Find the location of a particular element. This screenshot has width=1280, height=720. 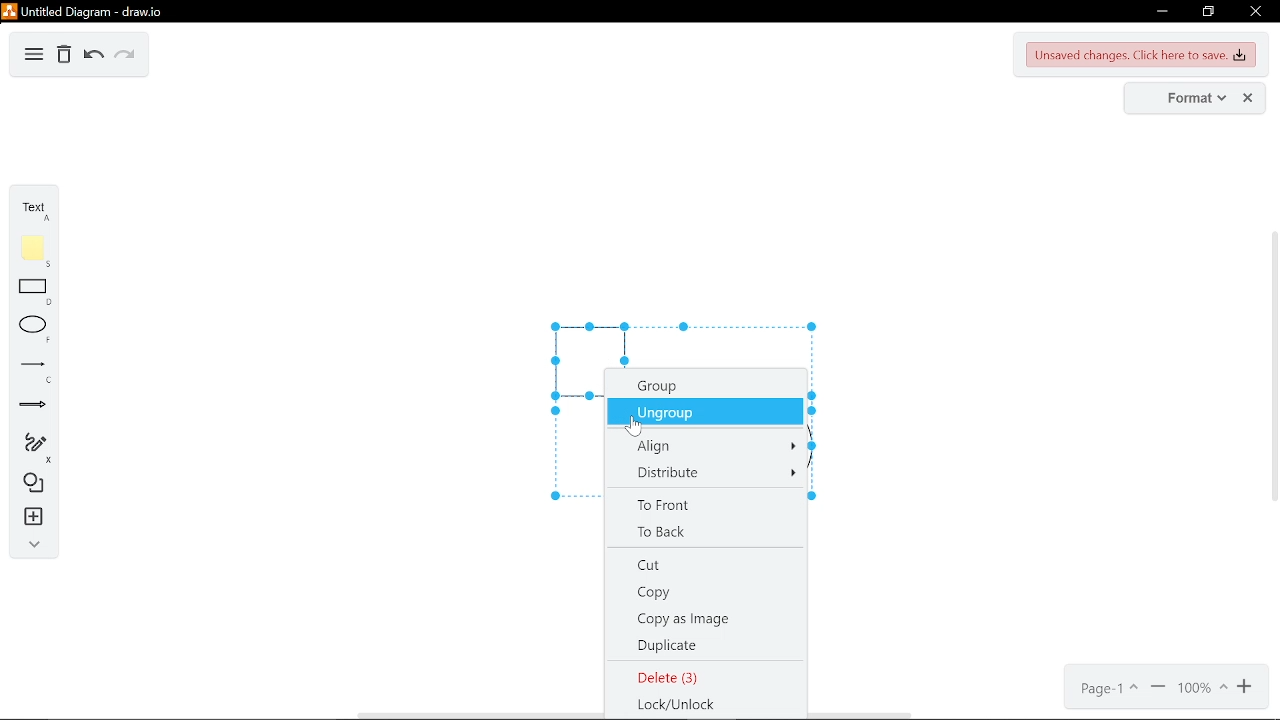

cut is located at coordinates (711, 564).